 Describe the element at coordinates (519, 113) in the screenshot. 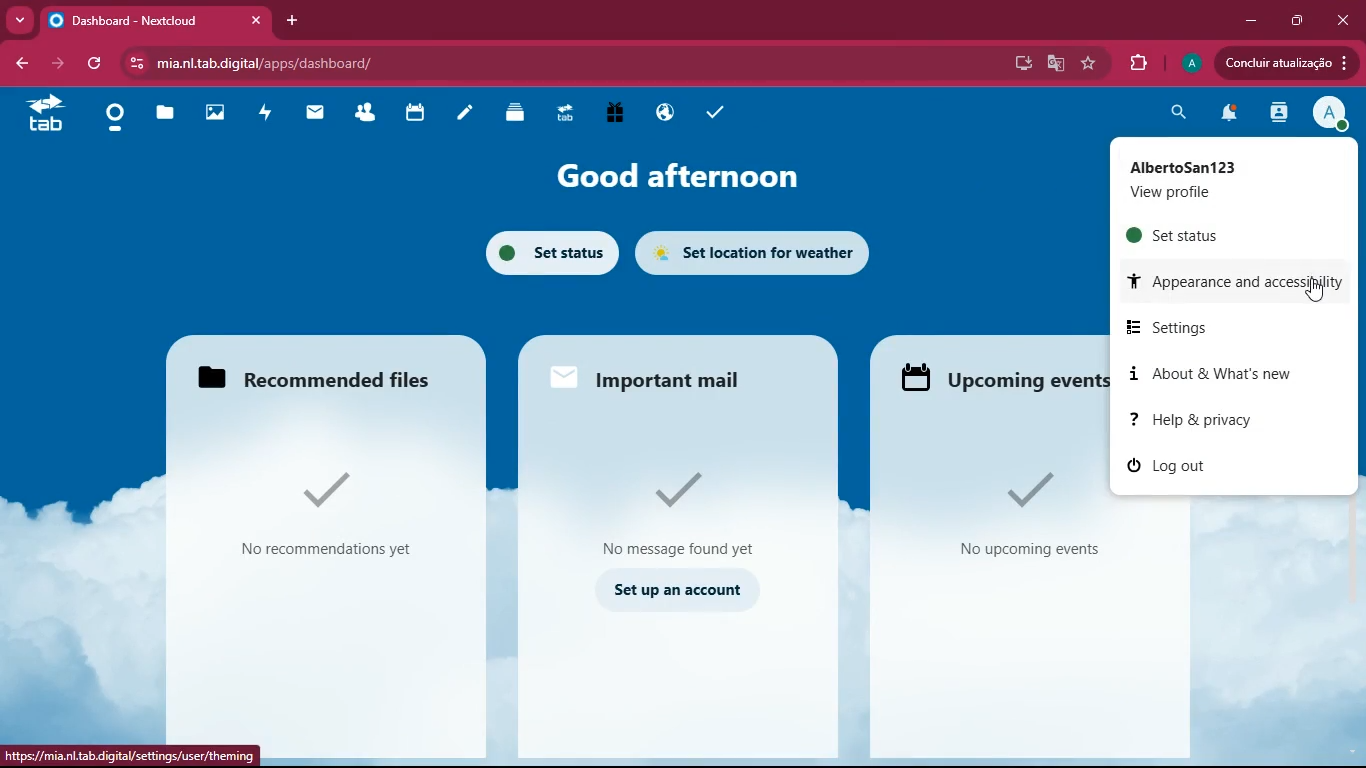

I see `layers` at that location.